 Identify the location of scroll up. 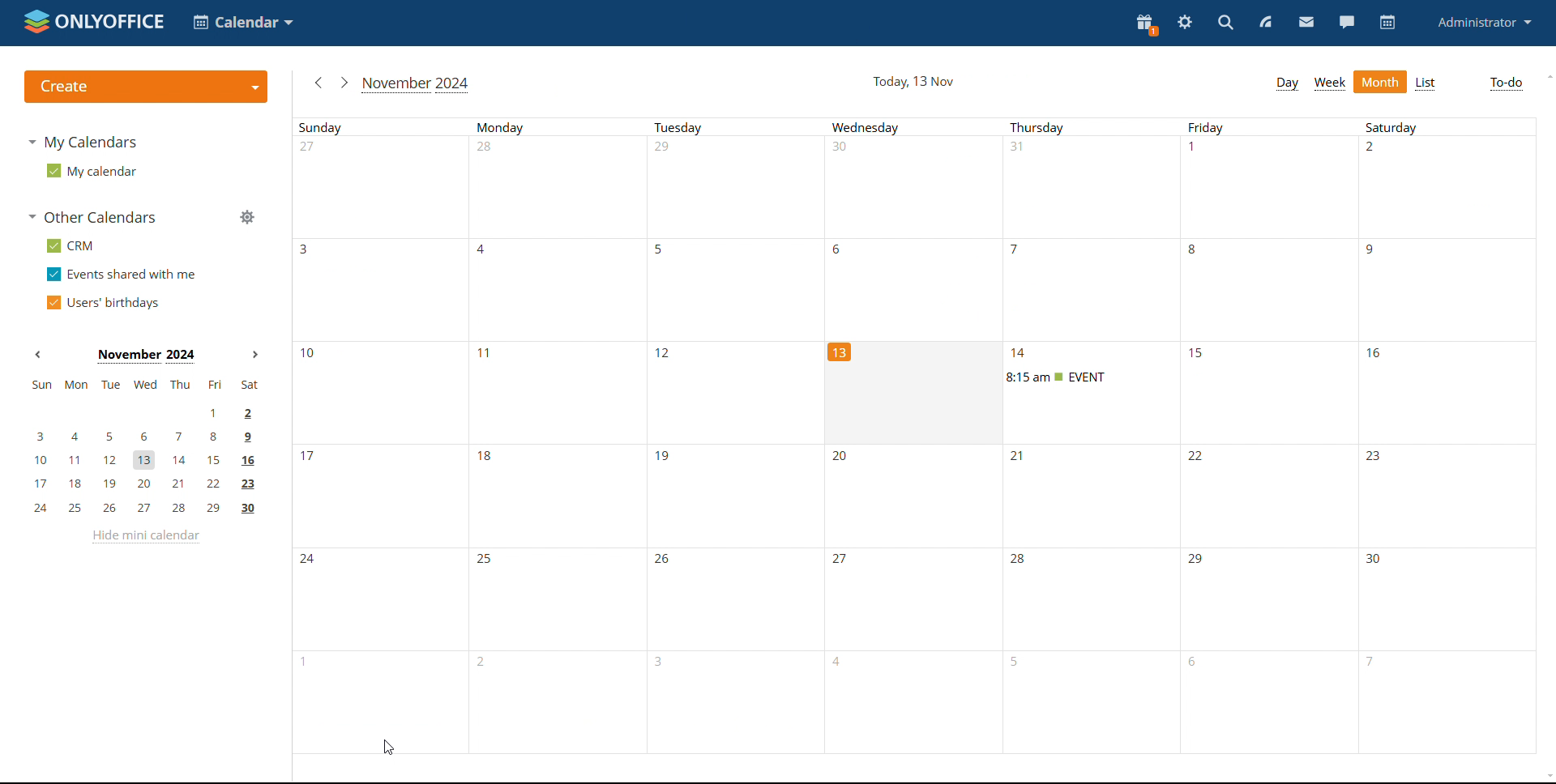
(1549, 76).